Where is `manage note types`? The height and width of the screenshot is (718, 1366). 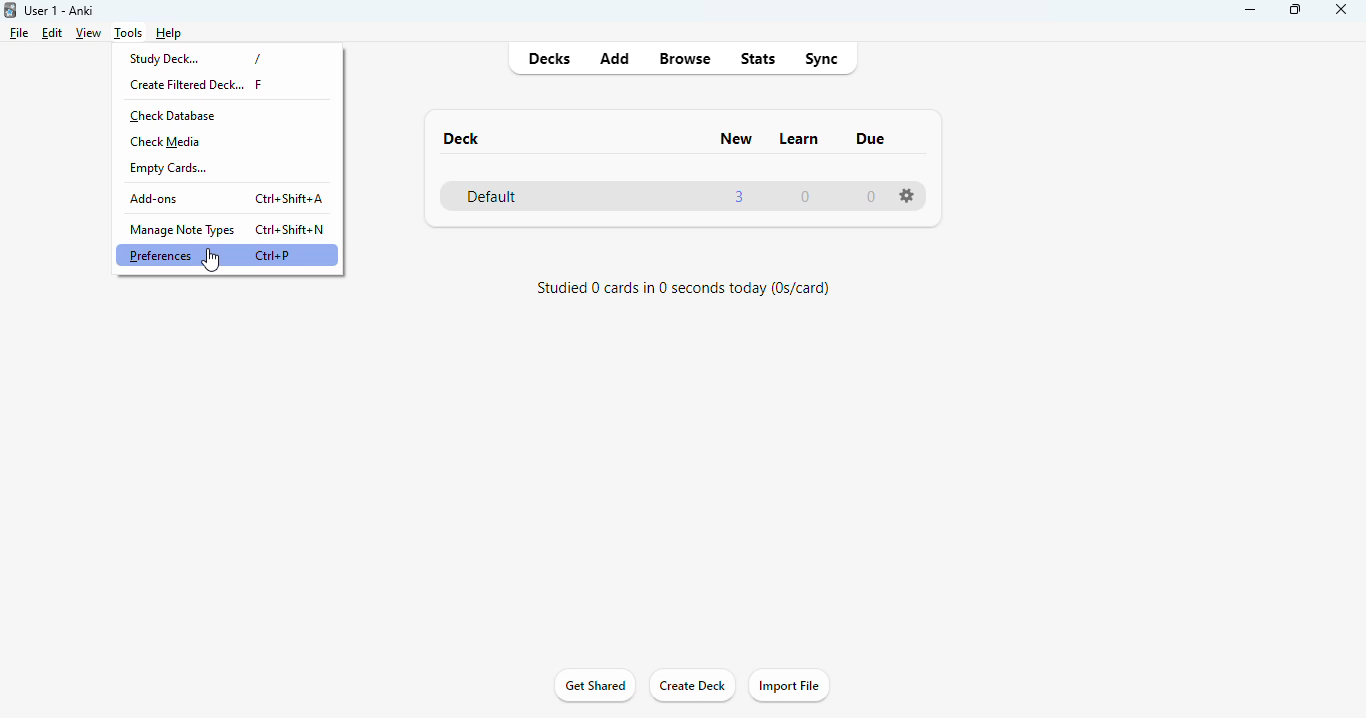 manage note types is located at coordinates (180, 230).